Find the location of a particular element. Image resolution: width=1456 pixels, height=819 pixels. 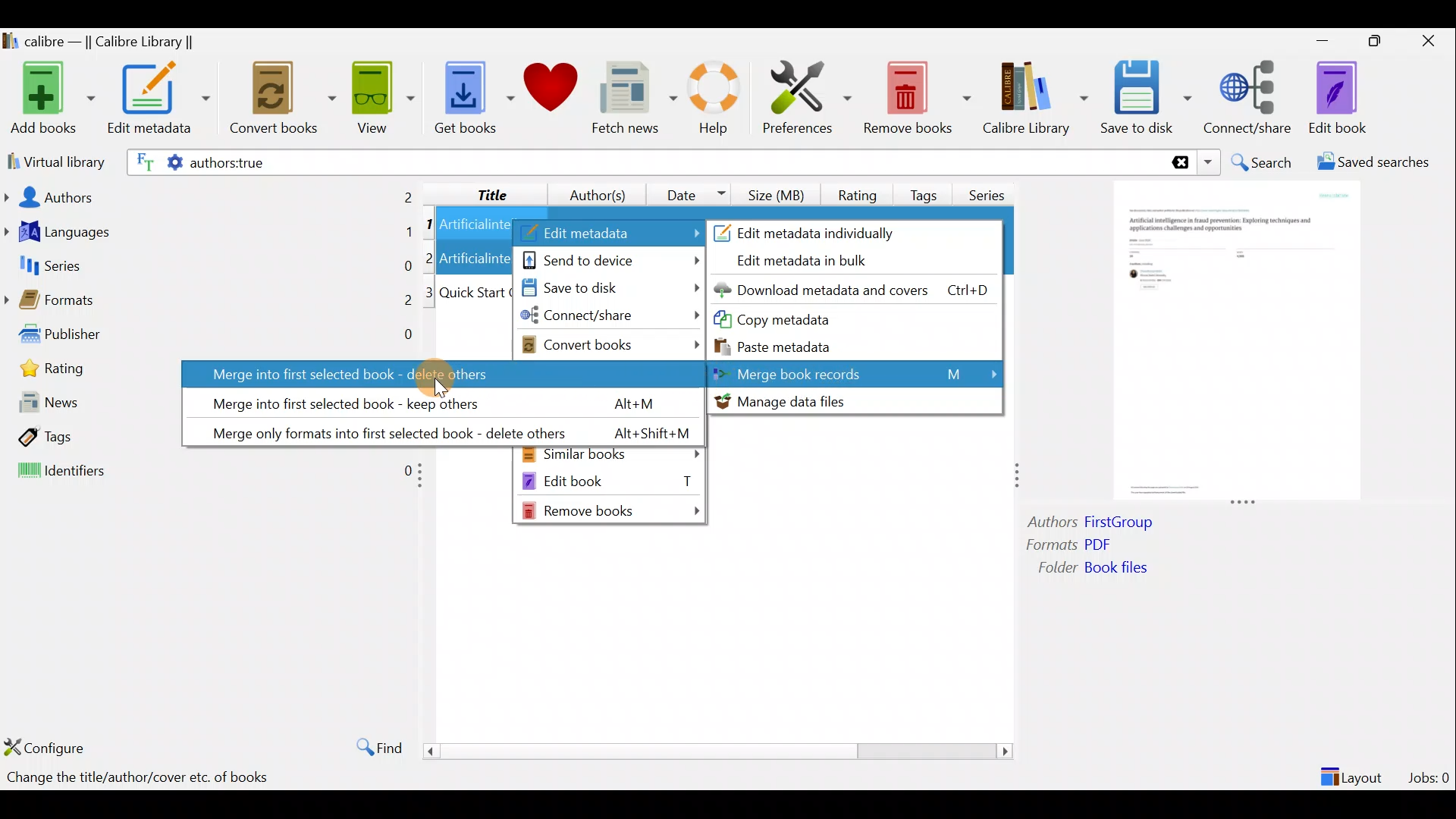

Layout is located at coordinates (1354, 770).